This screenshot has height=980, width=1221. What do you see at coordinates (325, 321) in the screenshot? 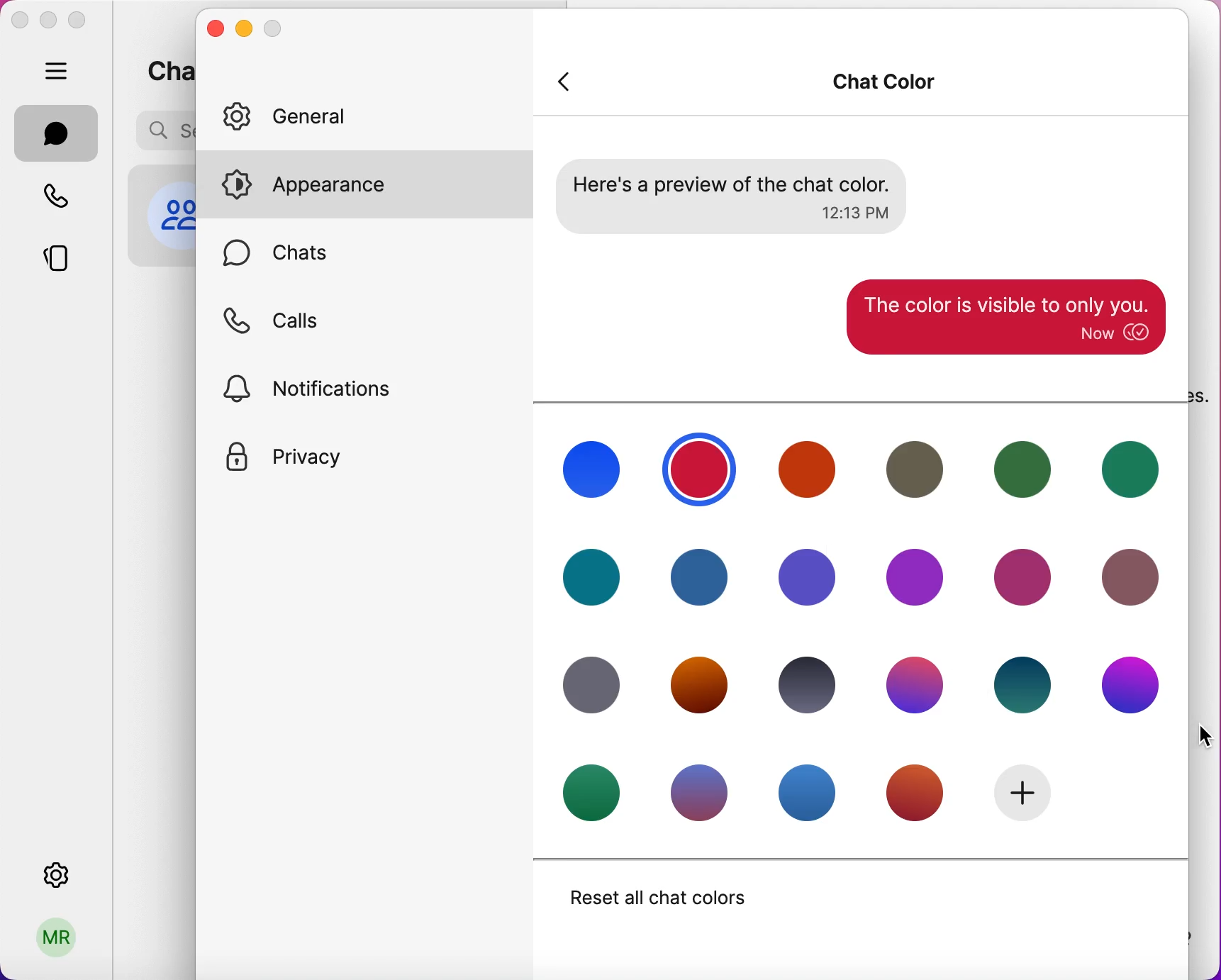
I see `calls` at bounding box center [325, 321].